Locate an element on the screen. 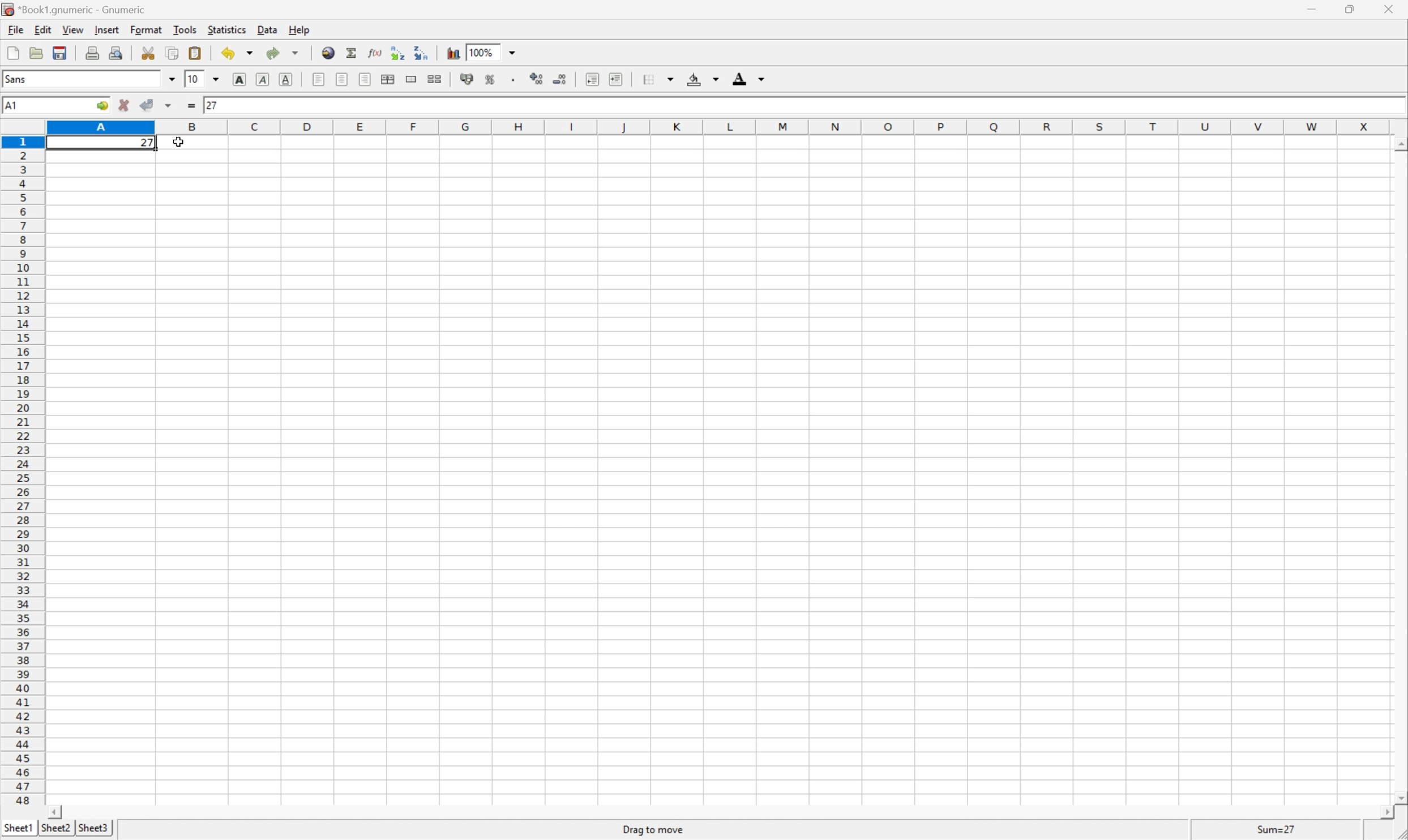 This screenshot has width=1408, height=840. Sheet2 is located at coordinates (57, 832).